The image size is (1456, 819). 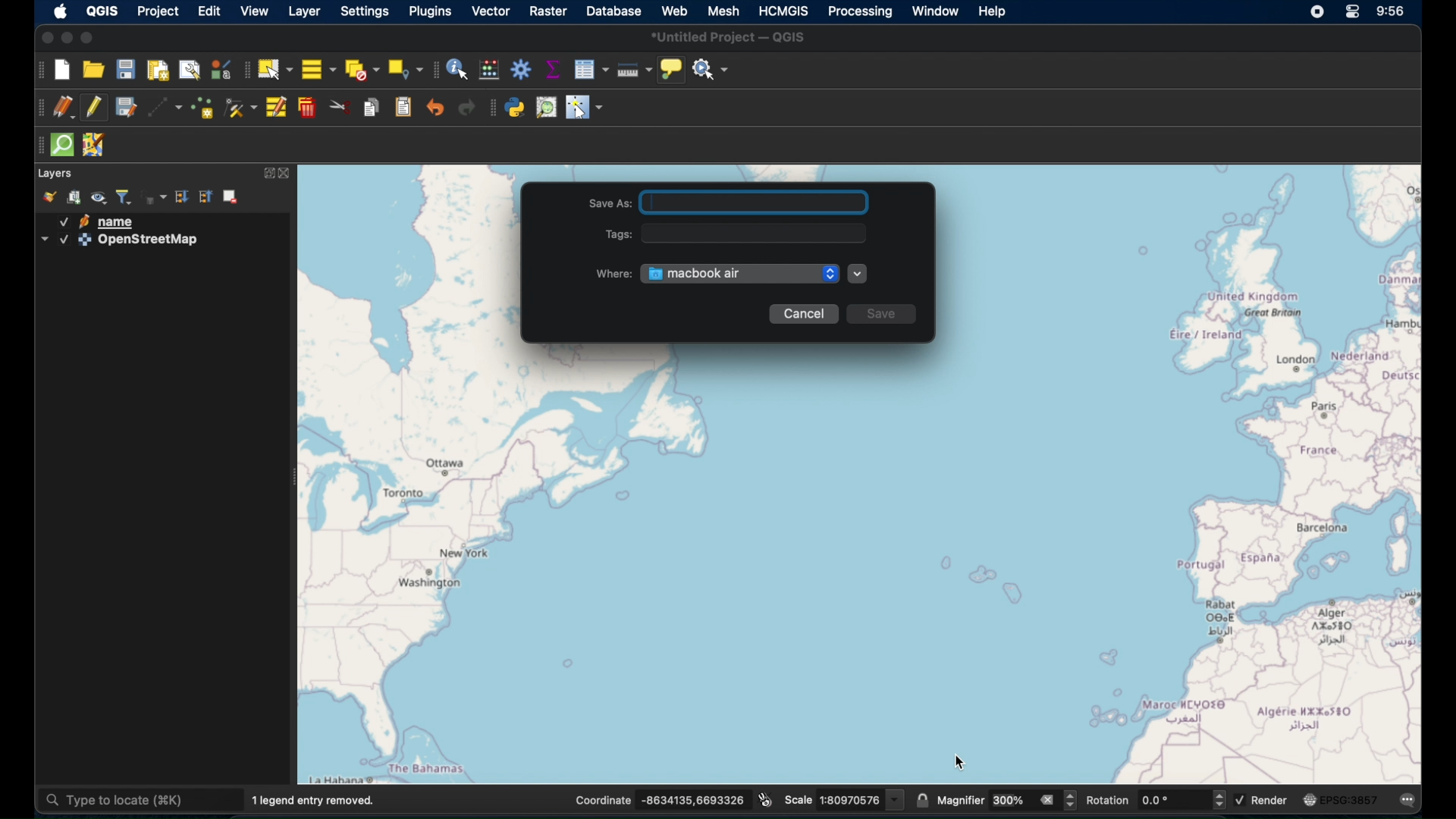 What do you see at coordinates (125, 70) in the screenshot?
I see `save project` at bounding box center [125, 70].